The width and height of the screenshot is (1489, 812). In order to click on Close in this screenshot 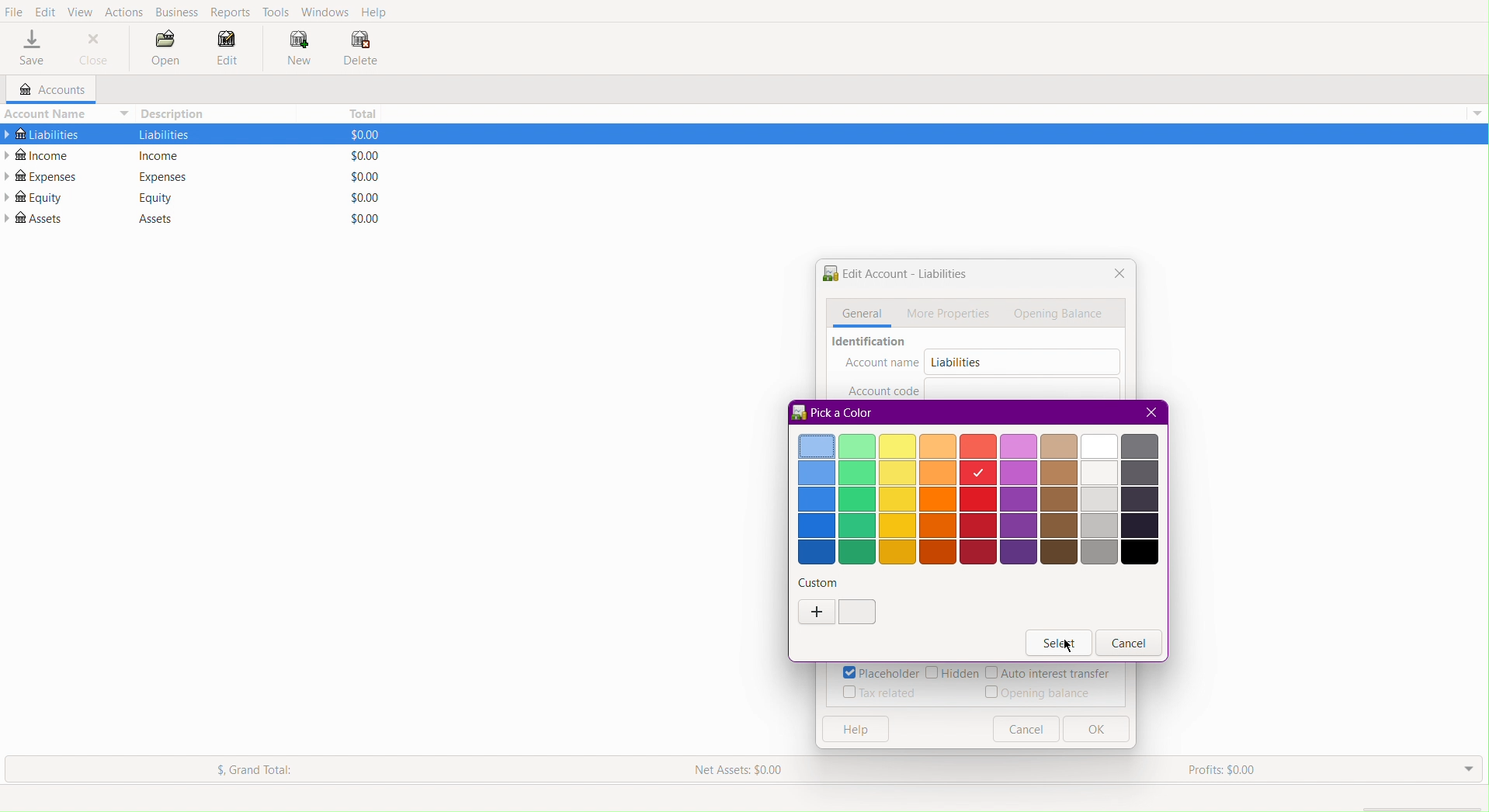, I will do `click(1149, 411)`.